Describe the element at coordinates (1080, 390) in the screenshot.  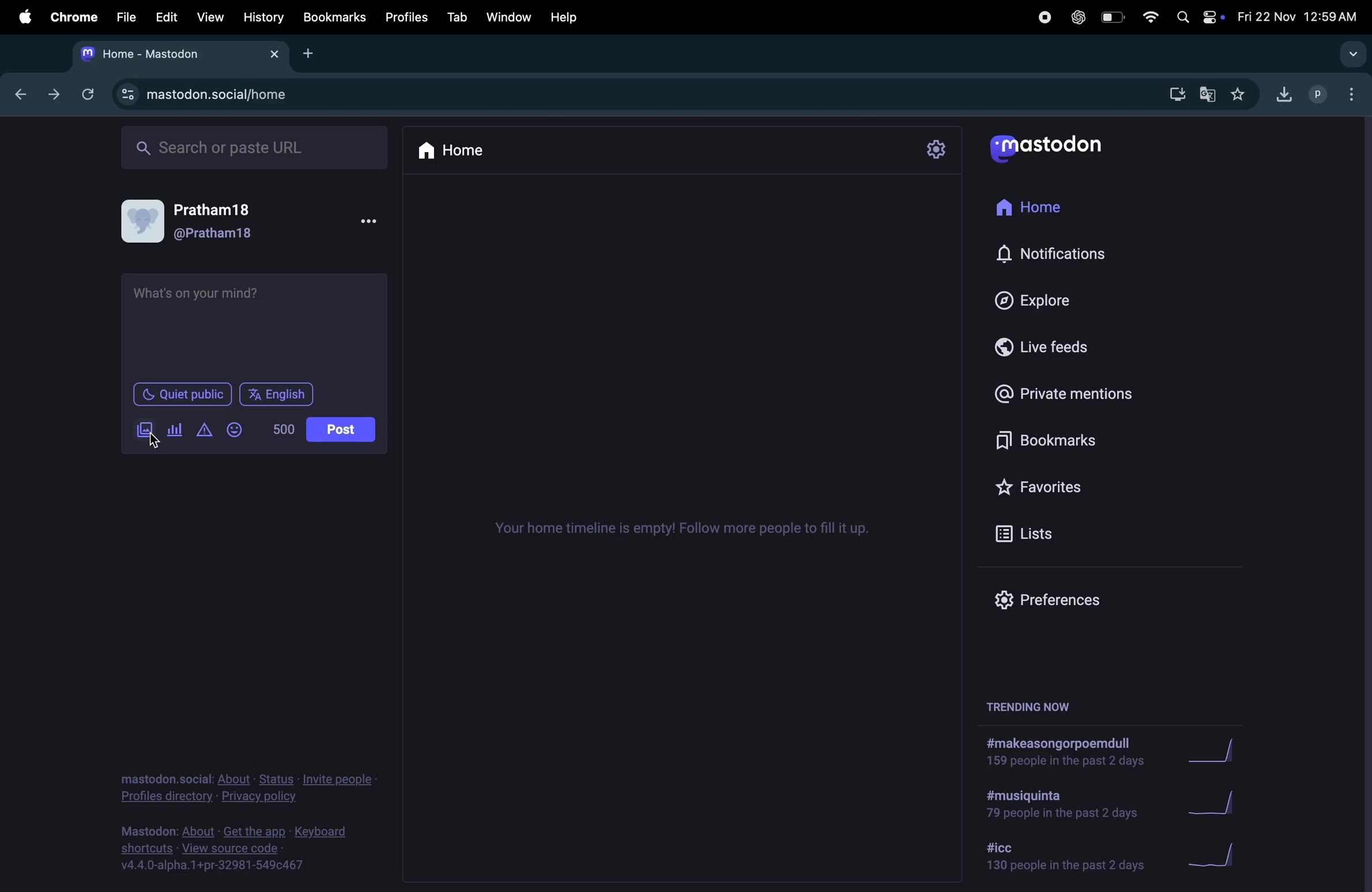
I see `private mentions` at that location.